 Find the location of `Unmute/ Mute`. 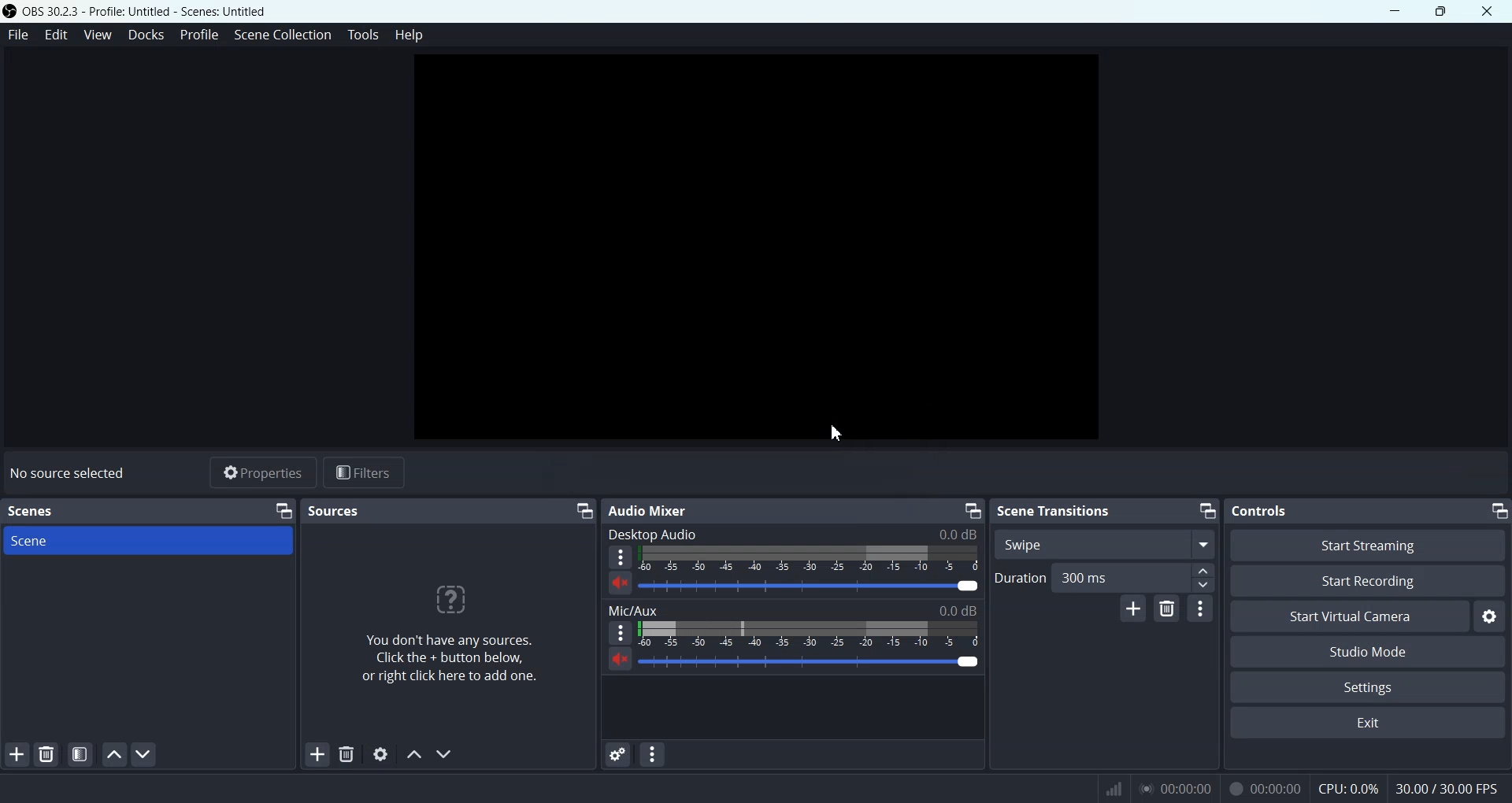

Unmute/ Mute is located at coordinates (621, 583).